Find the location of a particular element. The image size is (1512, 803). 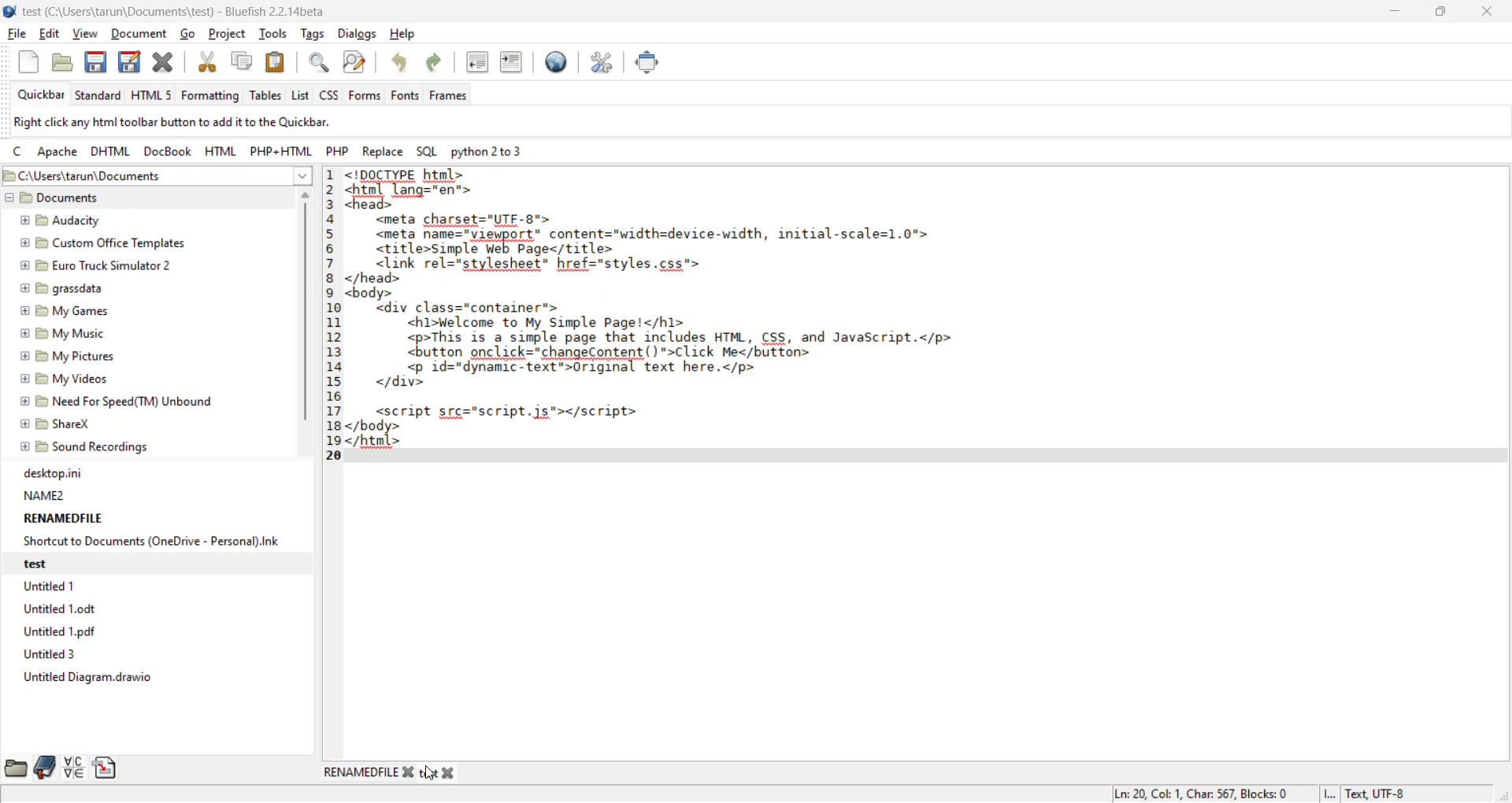

custom Office Templates is located at coordinates (105, 243).